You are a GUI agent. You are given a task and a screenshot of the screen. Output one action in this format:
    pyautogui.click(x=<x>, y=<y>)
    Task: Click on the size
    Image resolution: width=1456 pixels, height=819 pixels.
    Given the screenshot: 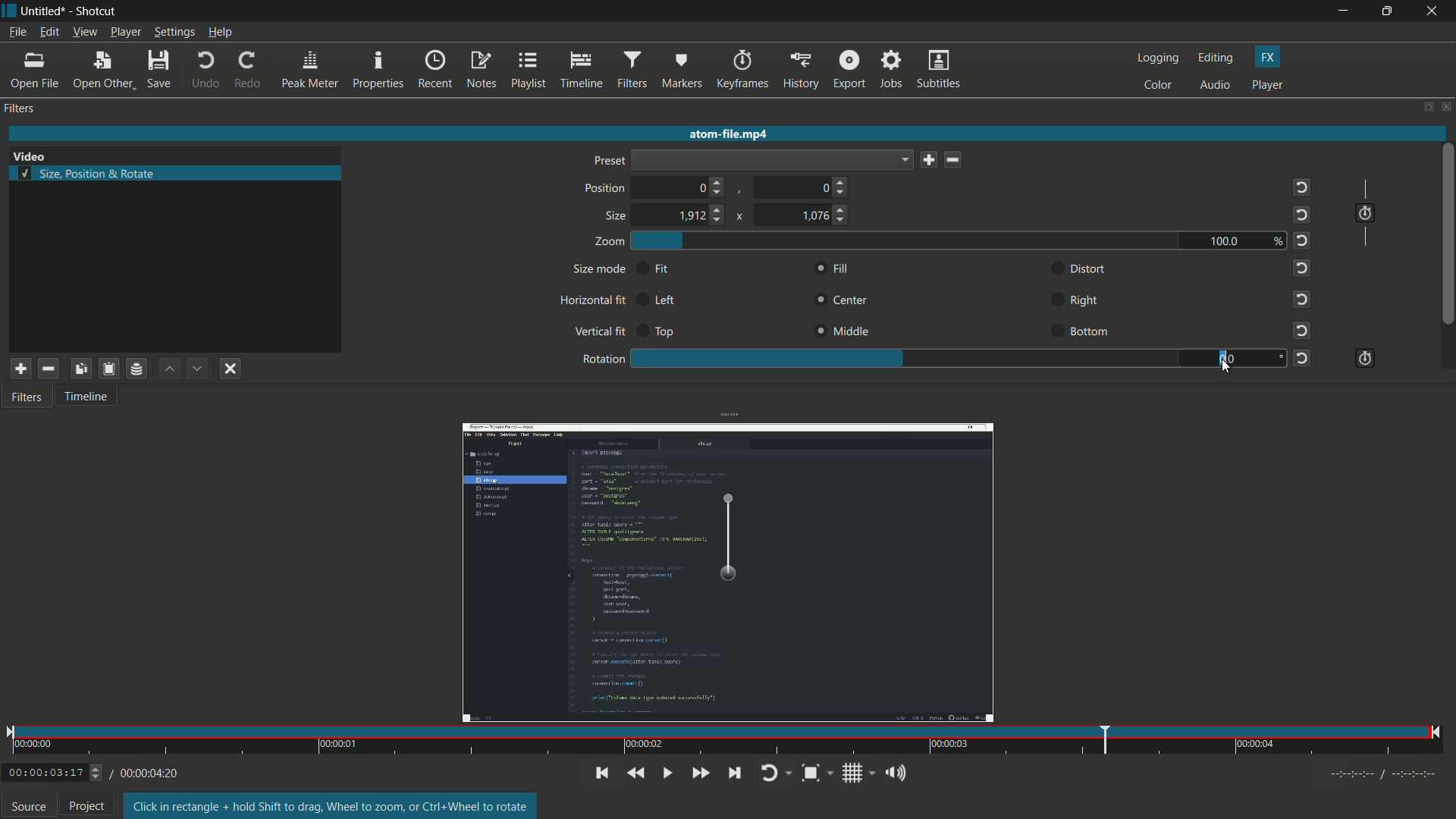 What is the action you would take?
    pyautogui.click(x=617, y=217)
    